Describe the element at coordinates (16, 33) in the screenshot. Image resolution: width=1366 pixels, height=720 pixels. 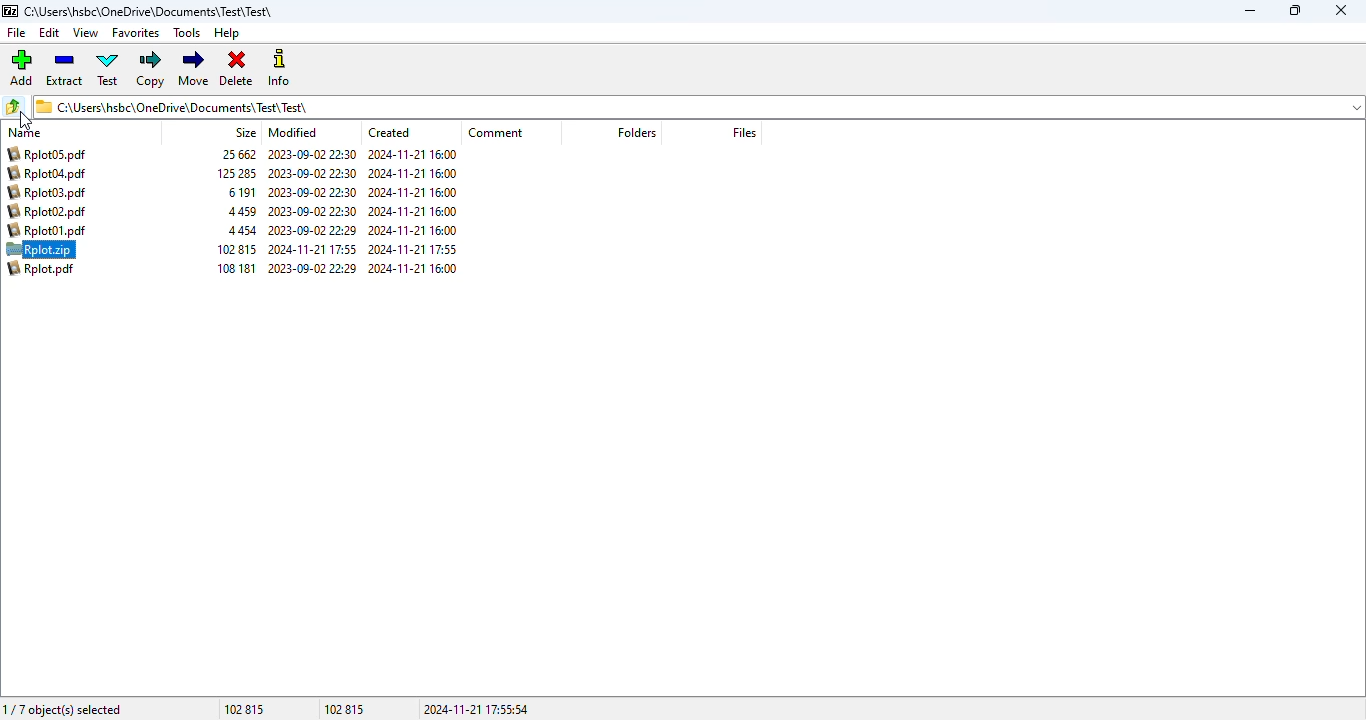
I see `file` at that location.